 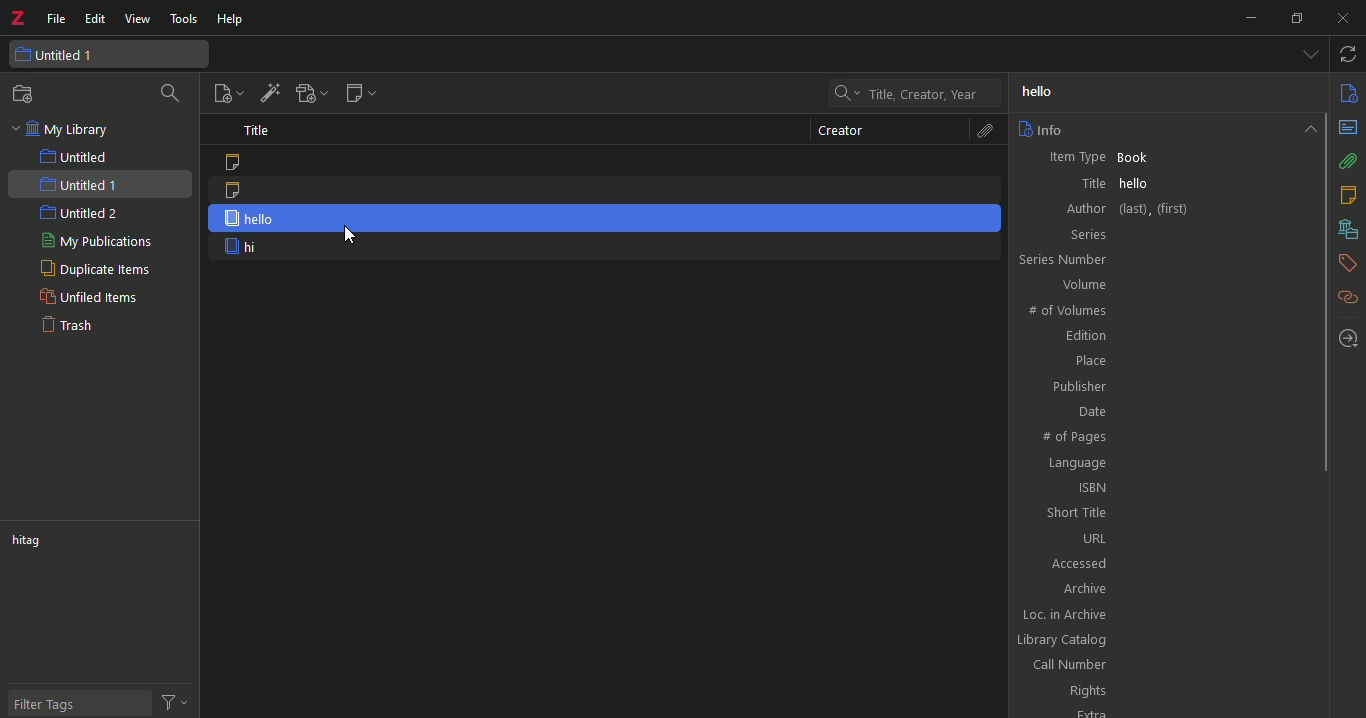 What do you see at coordinates (62, 55) in the screenshot?
I see `untitled 1` at bounding box center [62, 55].